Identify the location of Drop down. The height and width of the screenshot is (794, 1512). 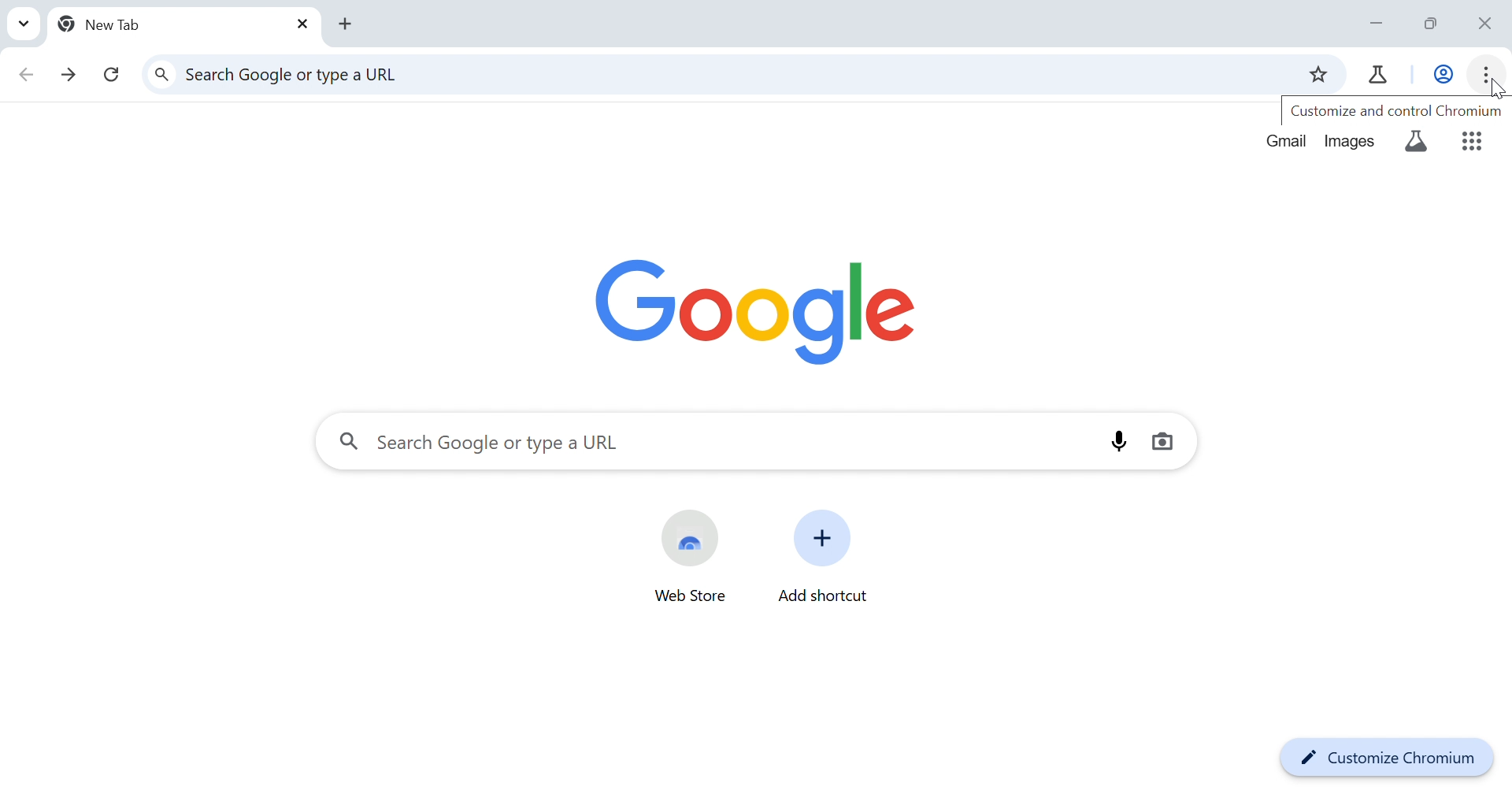
(24, 23).